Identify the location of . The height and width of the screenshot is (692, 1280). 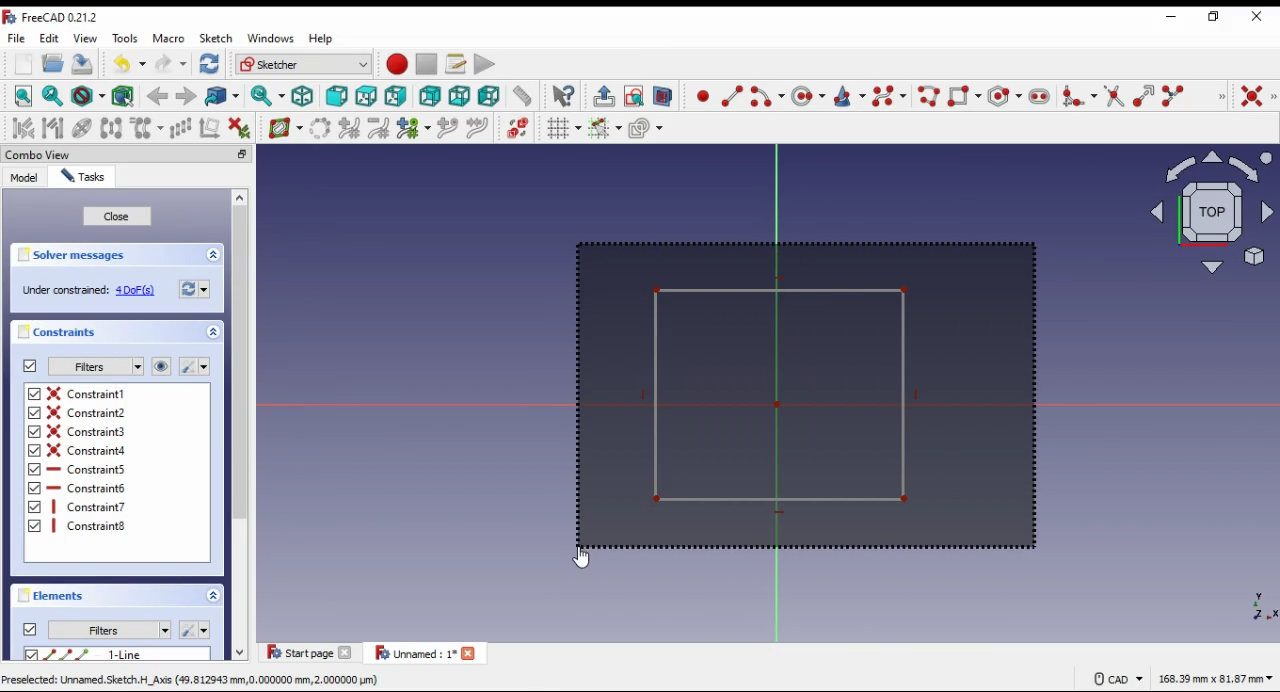
(267, 96).